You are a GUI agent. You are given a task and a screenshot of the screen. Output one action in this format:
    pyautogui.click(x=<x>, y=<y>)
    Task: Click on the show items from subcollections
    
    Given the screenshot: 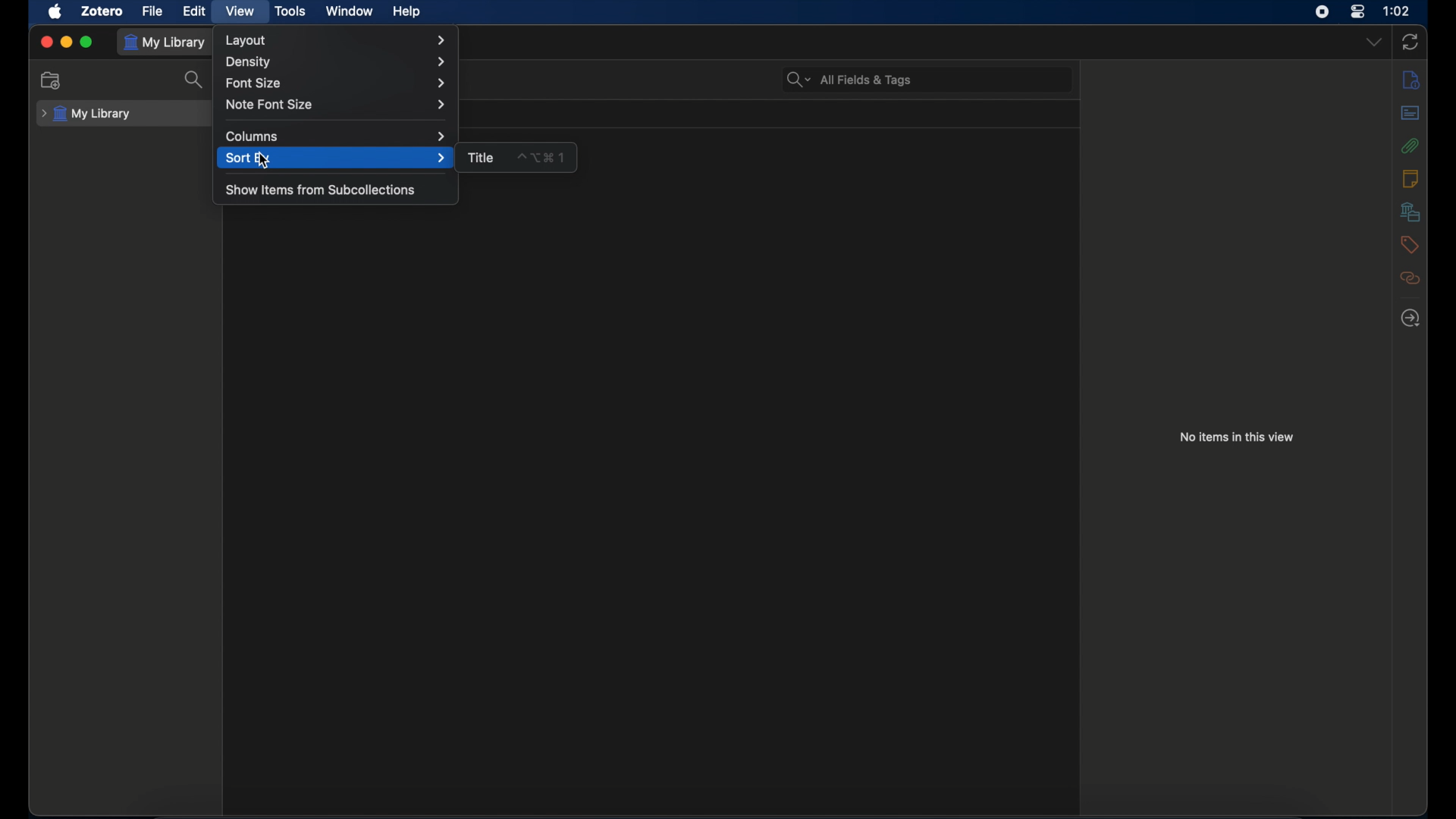 What is the action you would take?
    pyautogui.click(x=320, y=190)
    